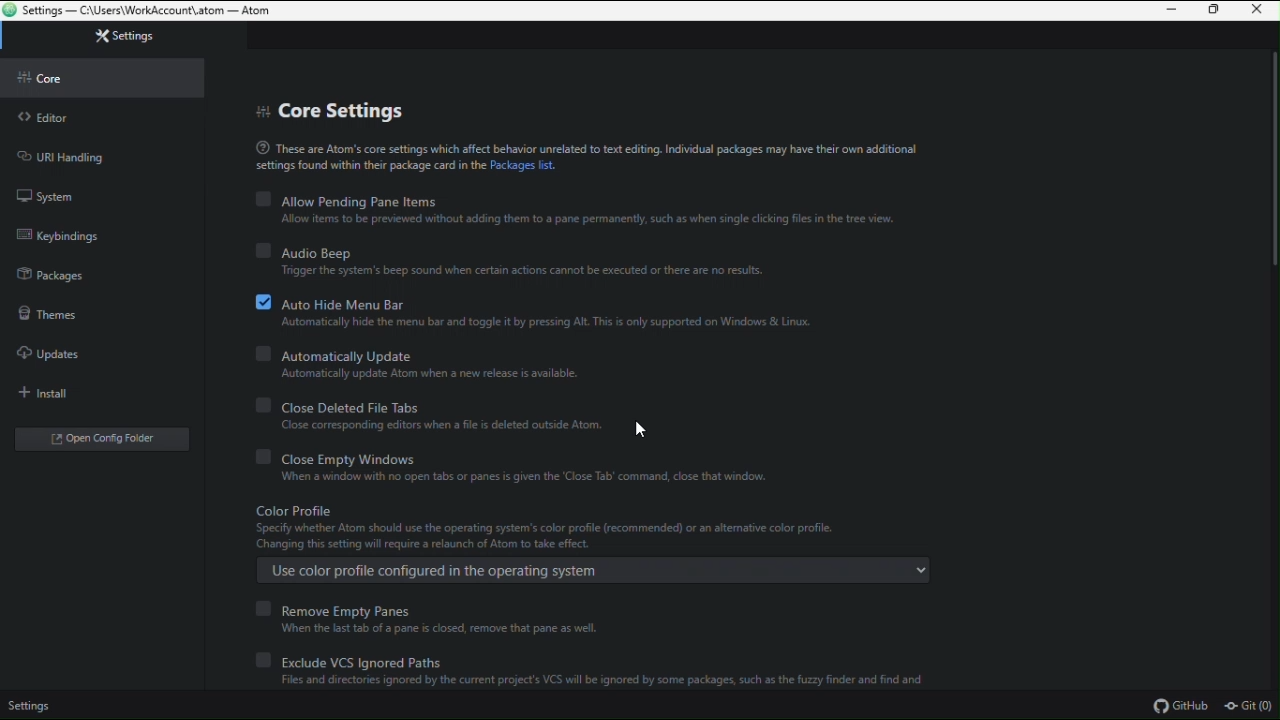 This screenshot has width=1280, height=720. Describe the element at coordinates (327, 105) in the screenshot. I see `core settings` at that location.